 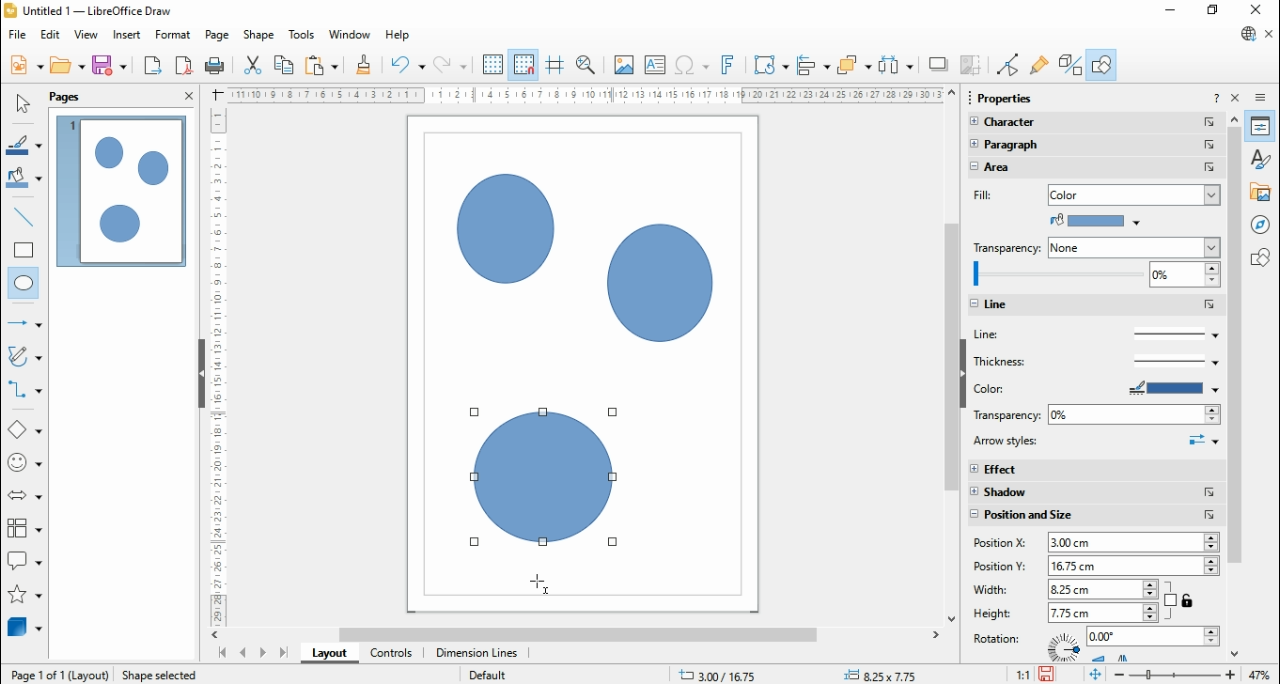 I want to click on 3D Objects, so click(x=23, y=627).